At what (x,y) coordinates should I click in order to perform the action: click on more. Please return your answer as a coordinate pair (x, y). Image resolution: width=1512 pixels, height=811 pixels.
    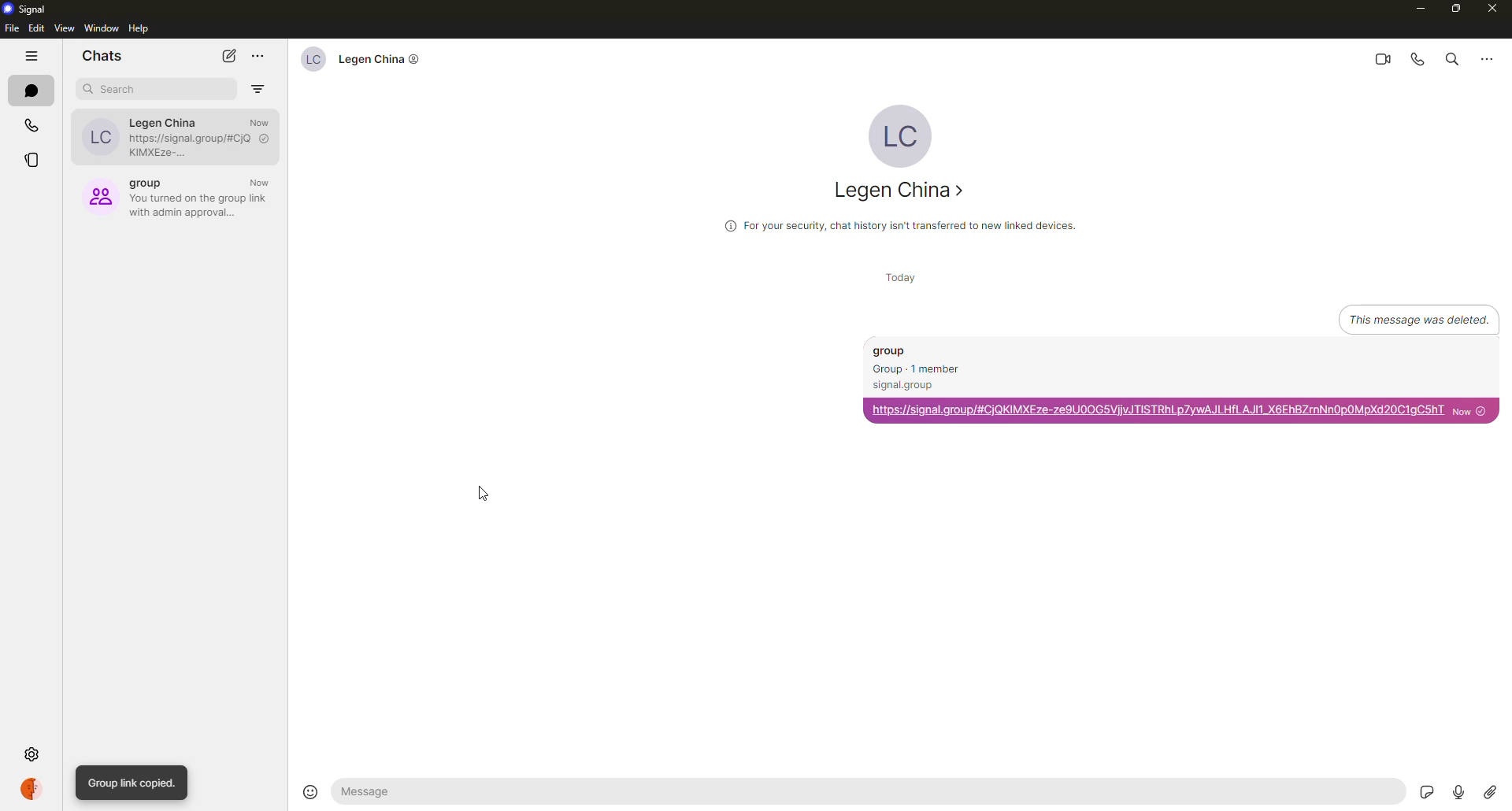
    Looking at the image, I should click on (1487, 57).